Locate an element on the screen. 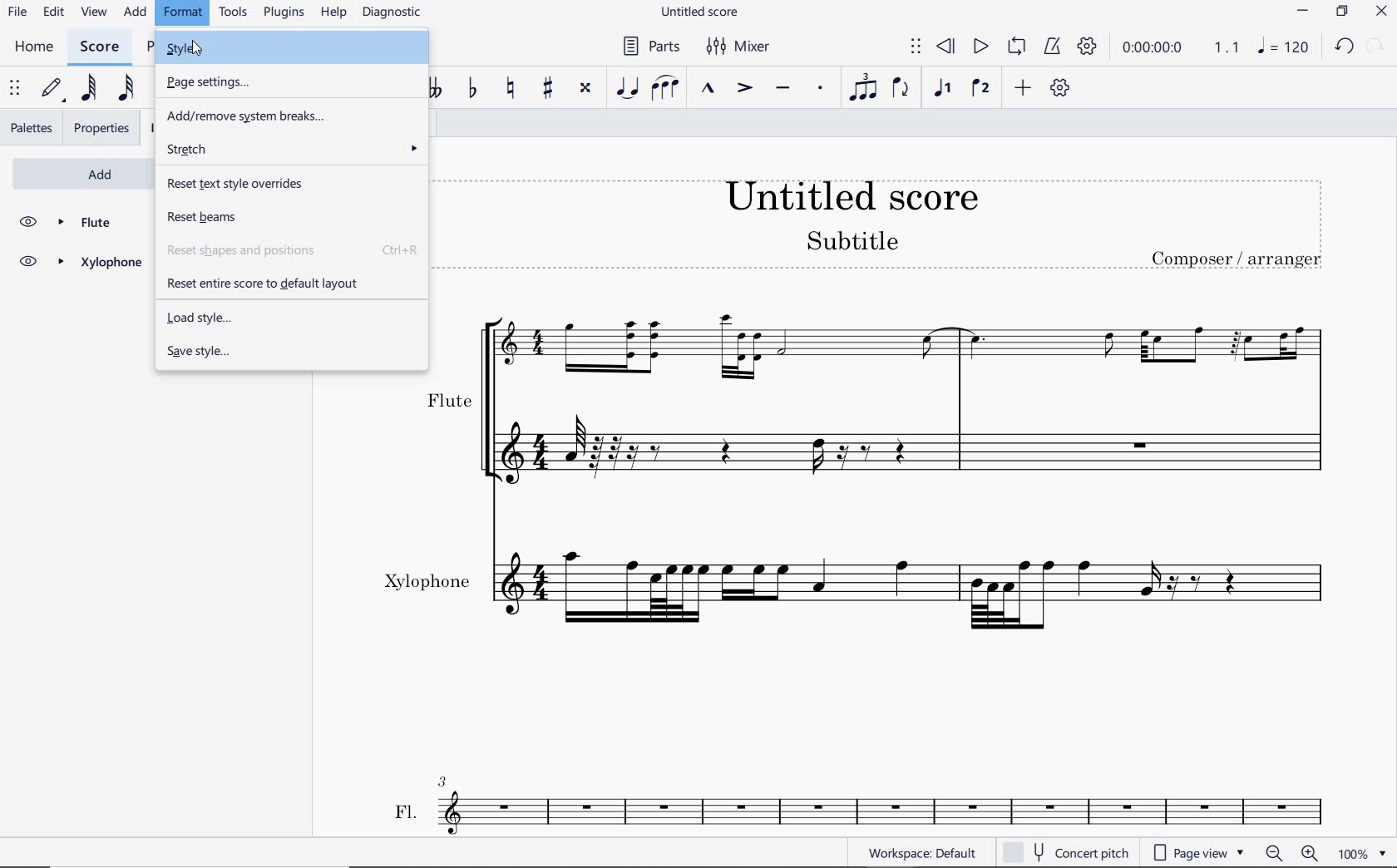 This screenshot has height=868, width=1397. TOGGLE SHARP is located at coordinates (548, 90).